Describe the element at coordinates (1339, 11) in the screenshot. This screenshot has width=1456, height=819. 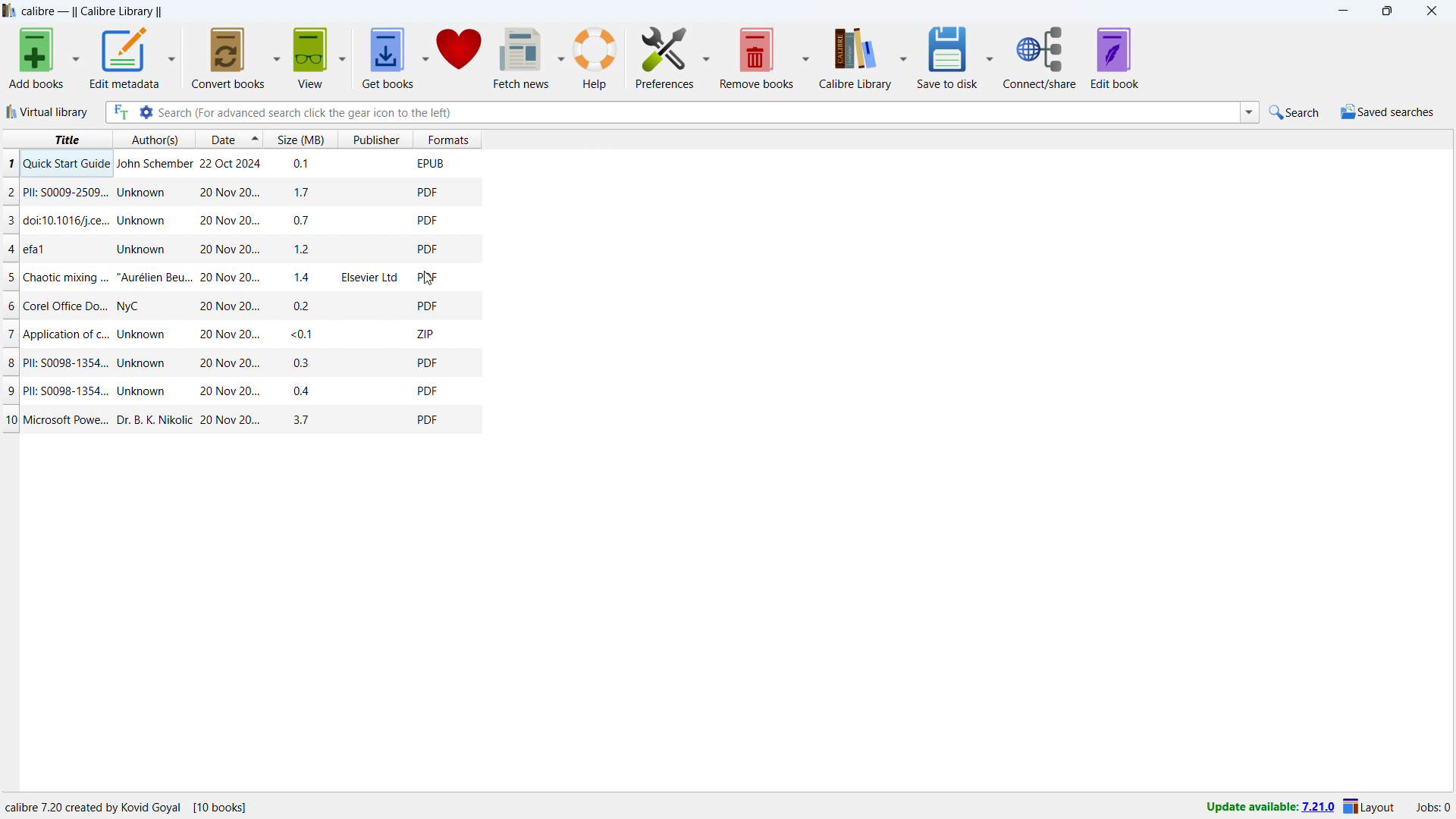
I see `minimize` at that location.